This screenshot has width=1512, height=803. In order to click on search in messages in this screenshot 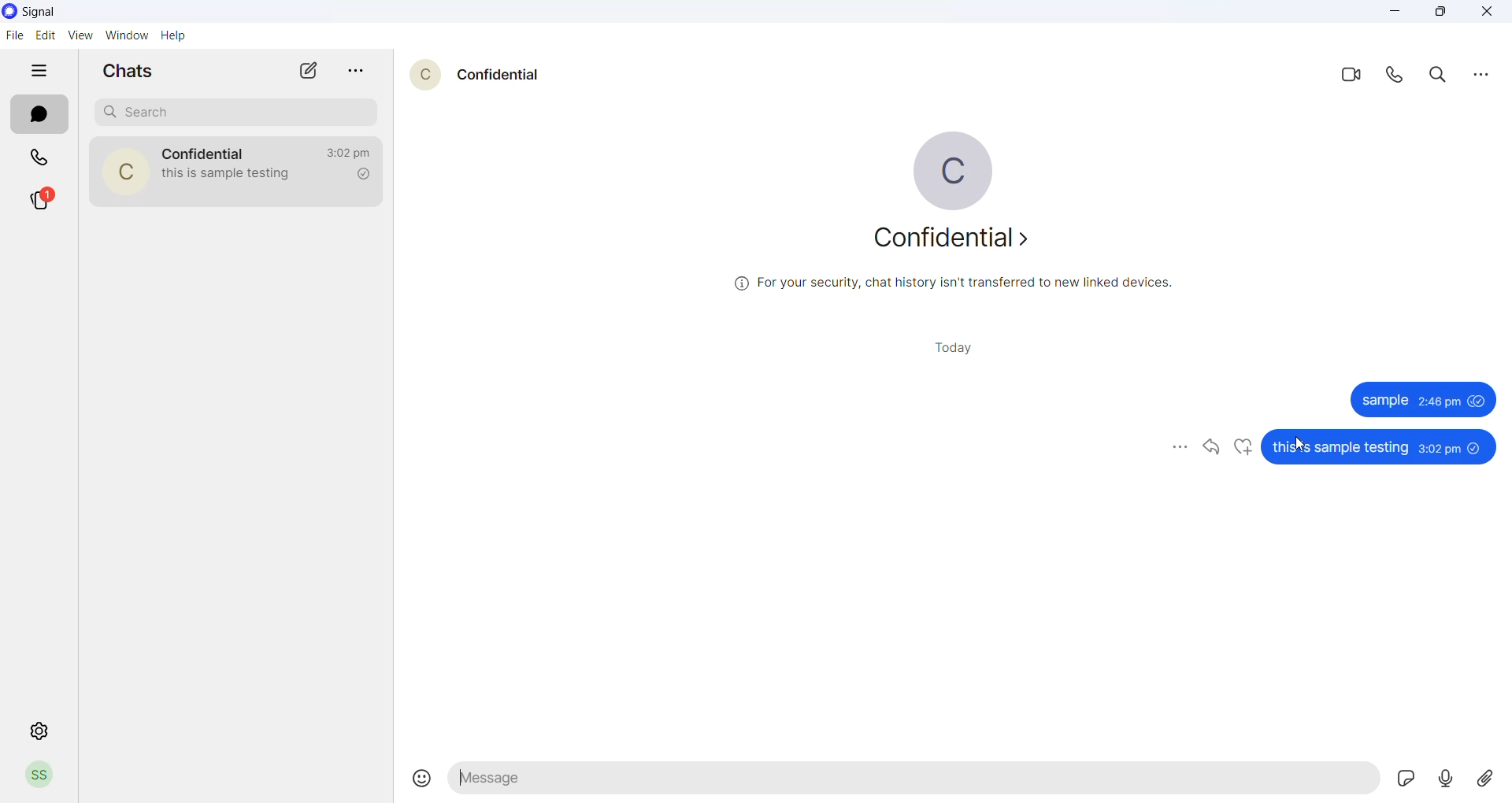, I will do `click(1440, 79)`.